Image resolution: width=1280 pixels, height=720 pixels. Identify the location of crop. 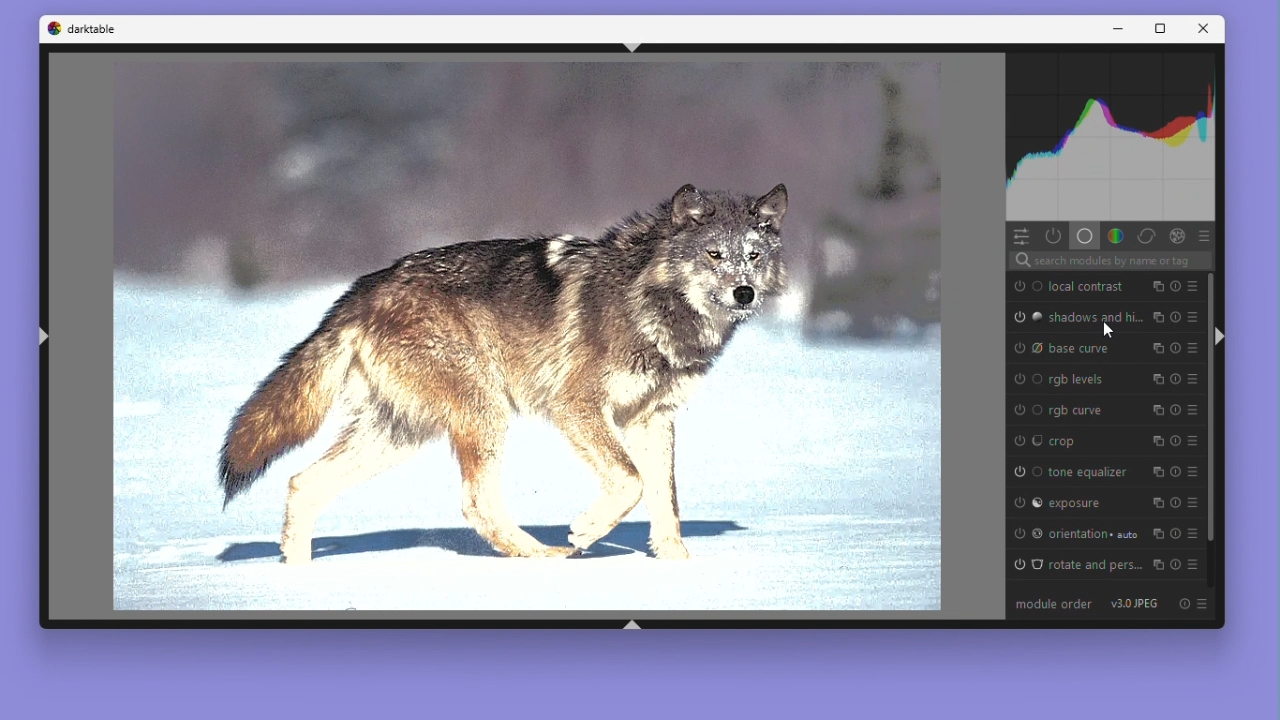
(1063, 442).